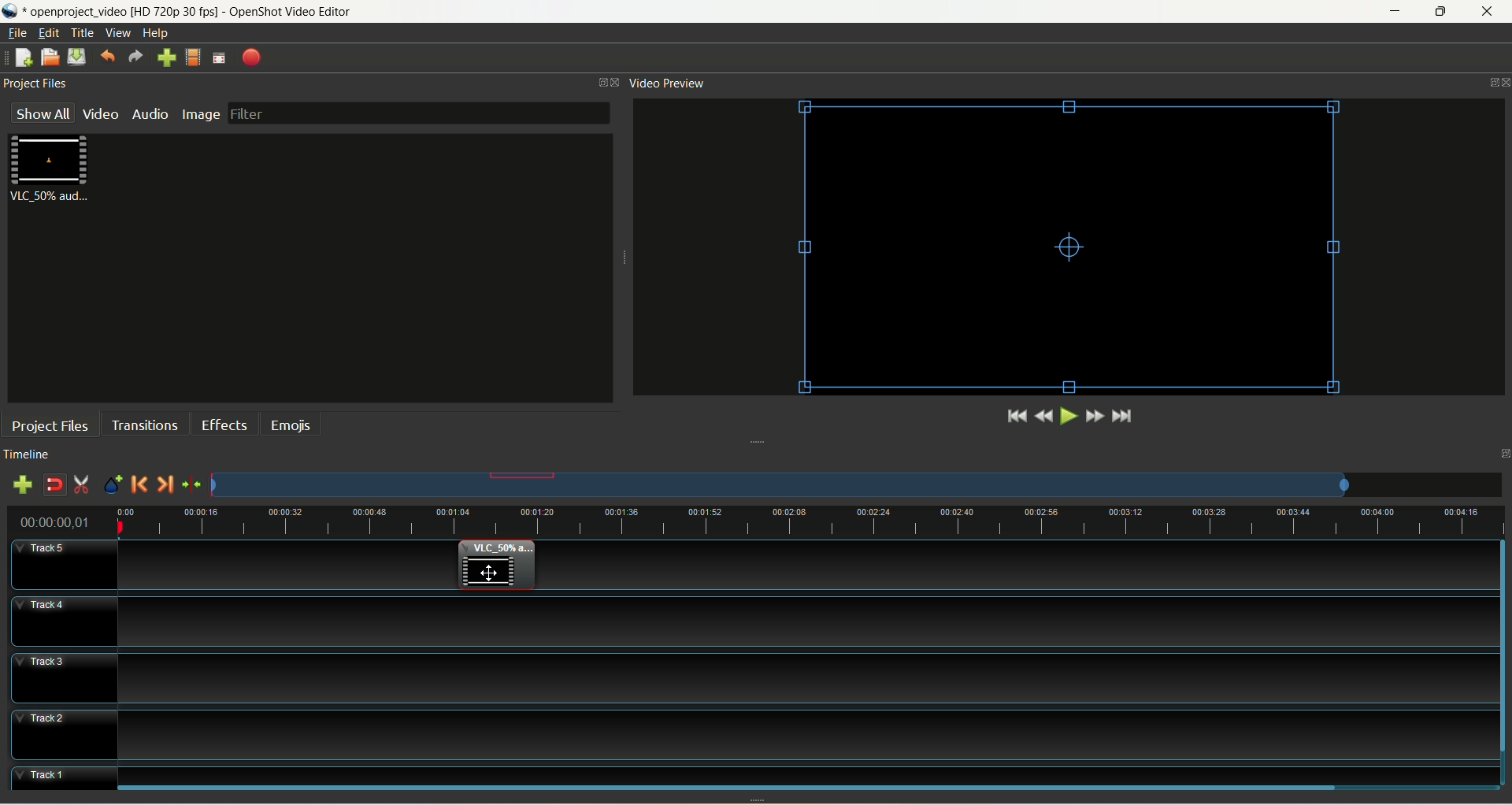 This screenshot has width=1512, height=805. I want to click on file, so click(17, 33).